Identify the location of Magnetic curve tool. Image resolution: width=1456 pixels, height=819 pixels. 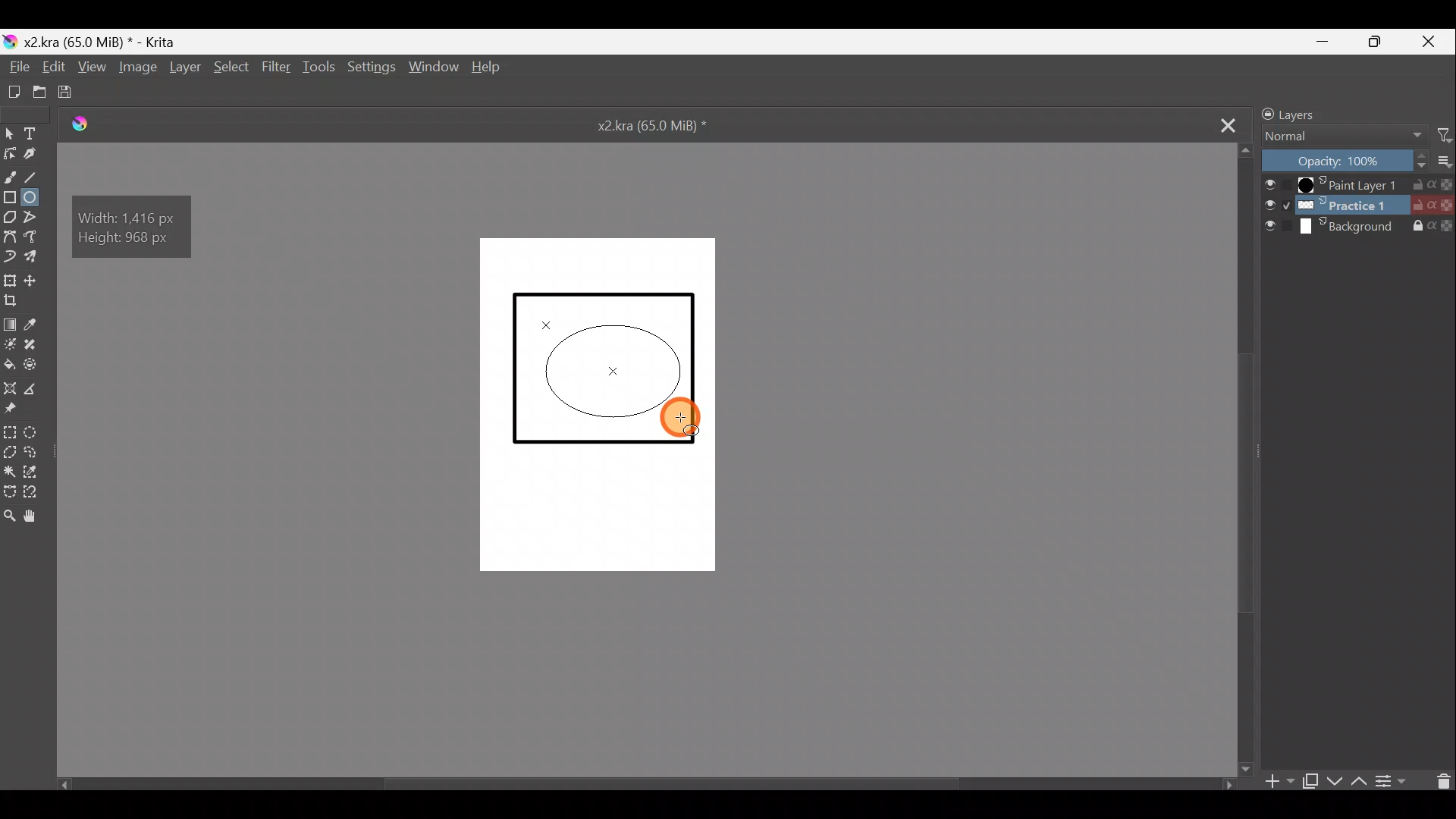
(11, 255).